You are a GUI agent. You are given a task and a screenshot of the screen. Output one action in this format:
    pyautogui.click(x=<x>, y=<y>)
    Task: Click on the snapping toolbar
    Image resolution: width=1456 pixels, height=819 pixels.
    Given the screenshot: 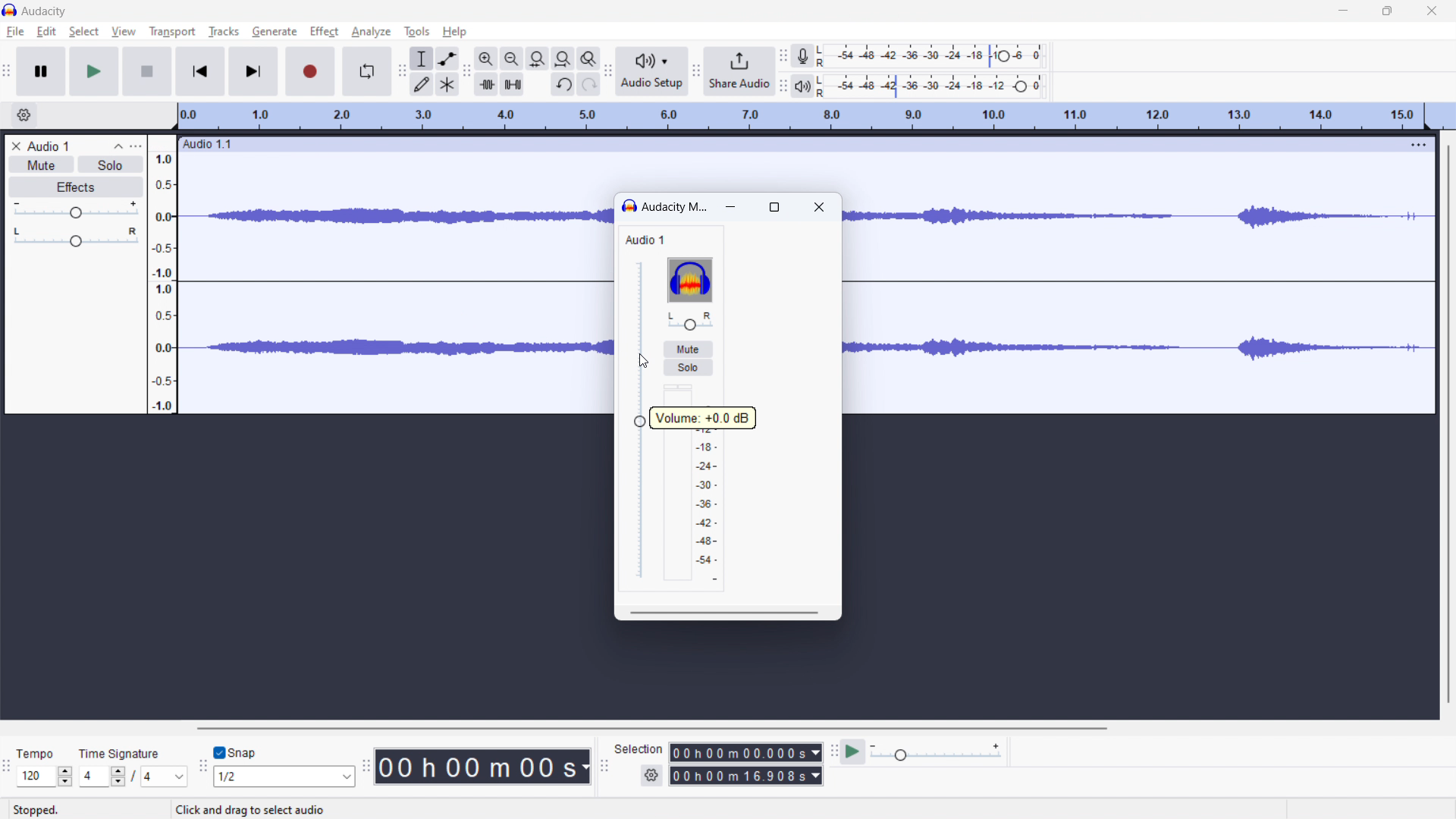 What is the action you would take?
    pyautogui.click(x=202, y=764)
    